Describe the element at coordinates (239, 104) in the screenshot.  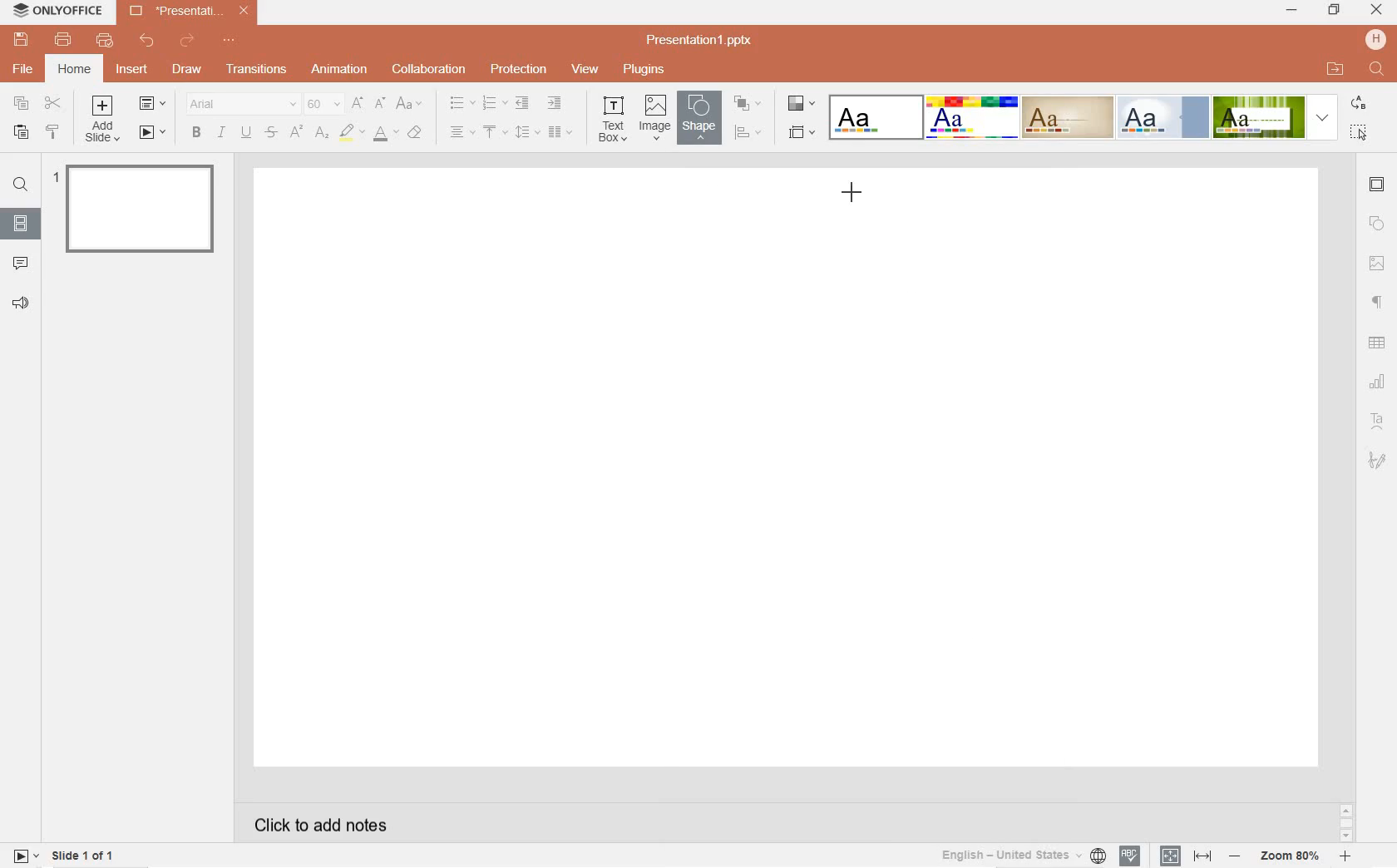
I see `font name: Arial` at that location.